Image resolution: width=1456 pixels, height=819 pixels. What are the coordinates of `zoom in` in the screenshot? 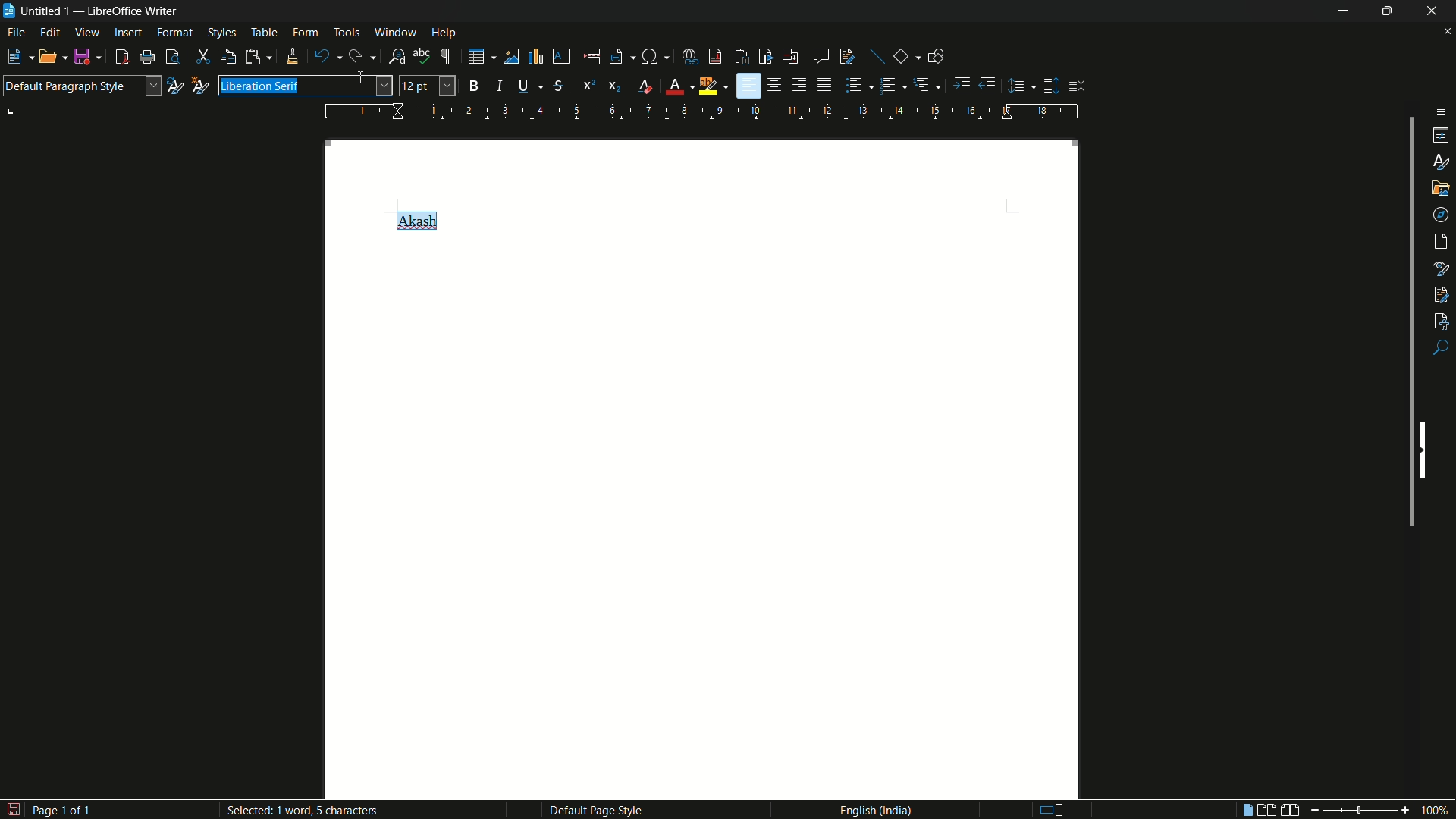 It's located at (1404, 810).